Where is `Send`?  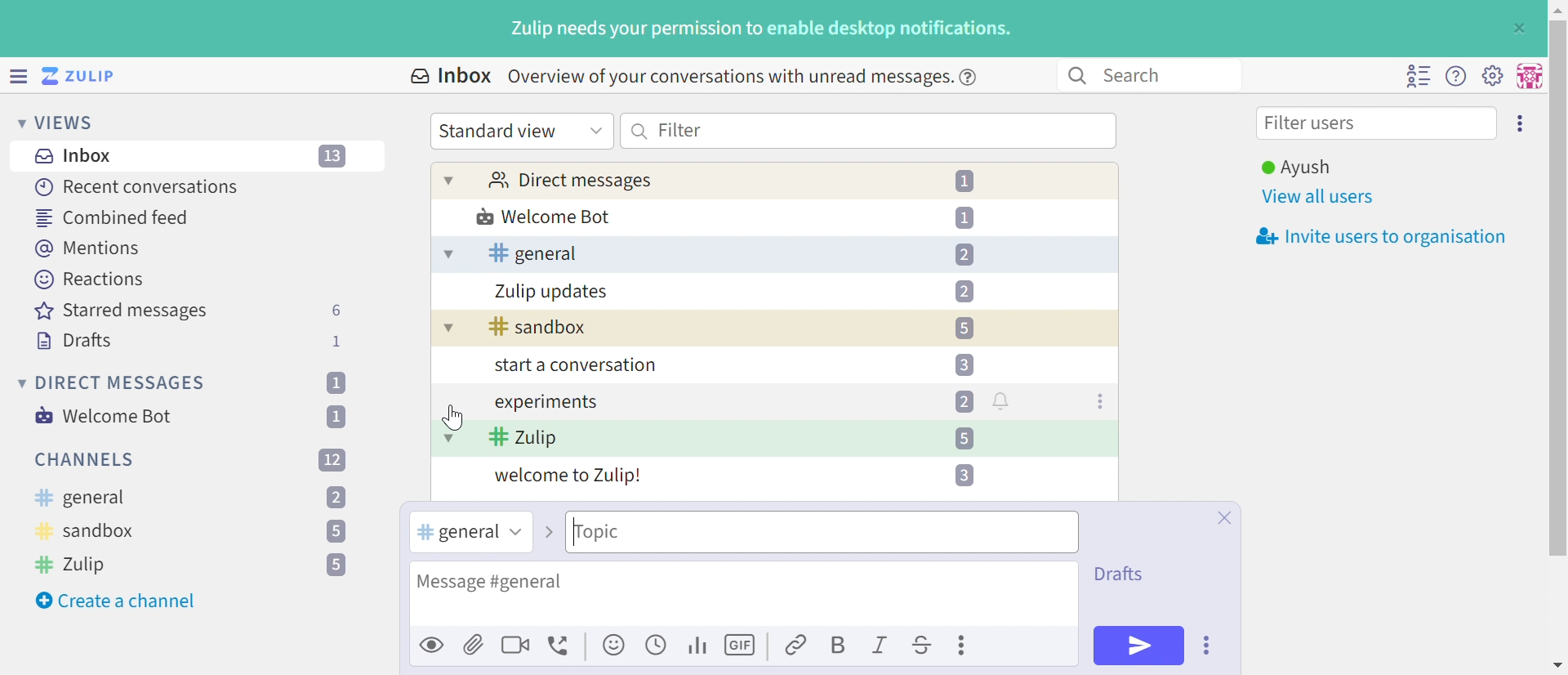
Send is located at coordinates (1139, 645).